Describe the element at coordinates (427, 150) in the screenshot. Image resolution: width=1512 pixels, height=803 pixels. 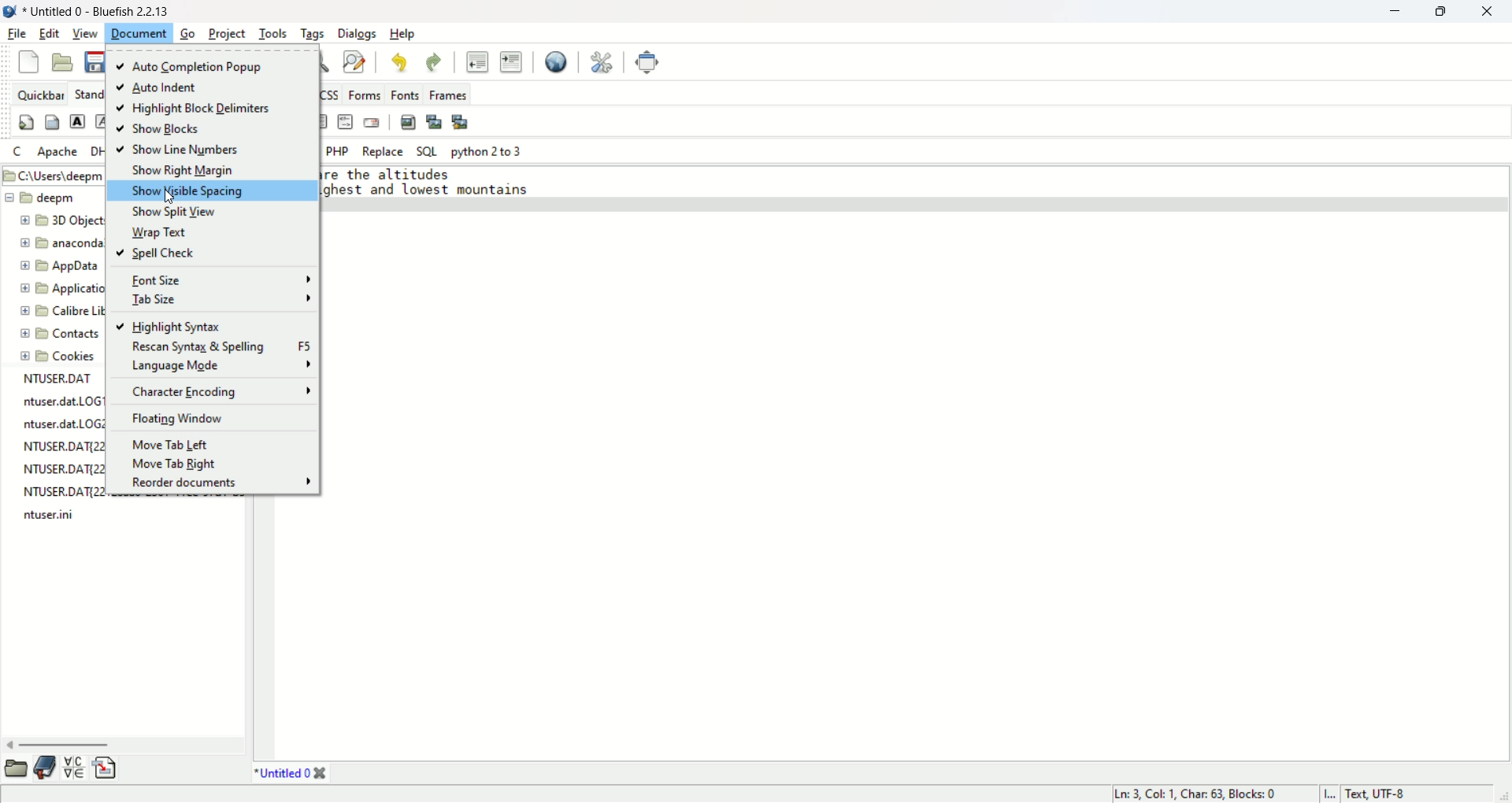
I see `SQL` at that location.